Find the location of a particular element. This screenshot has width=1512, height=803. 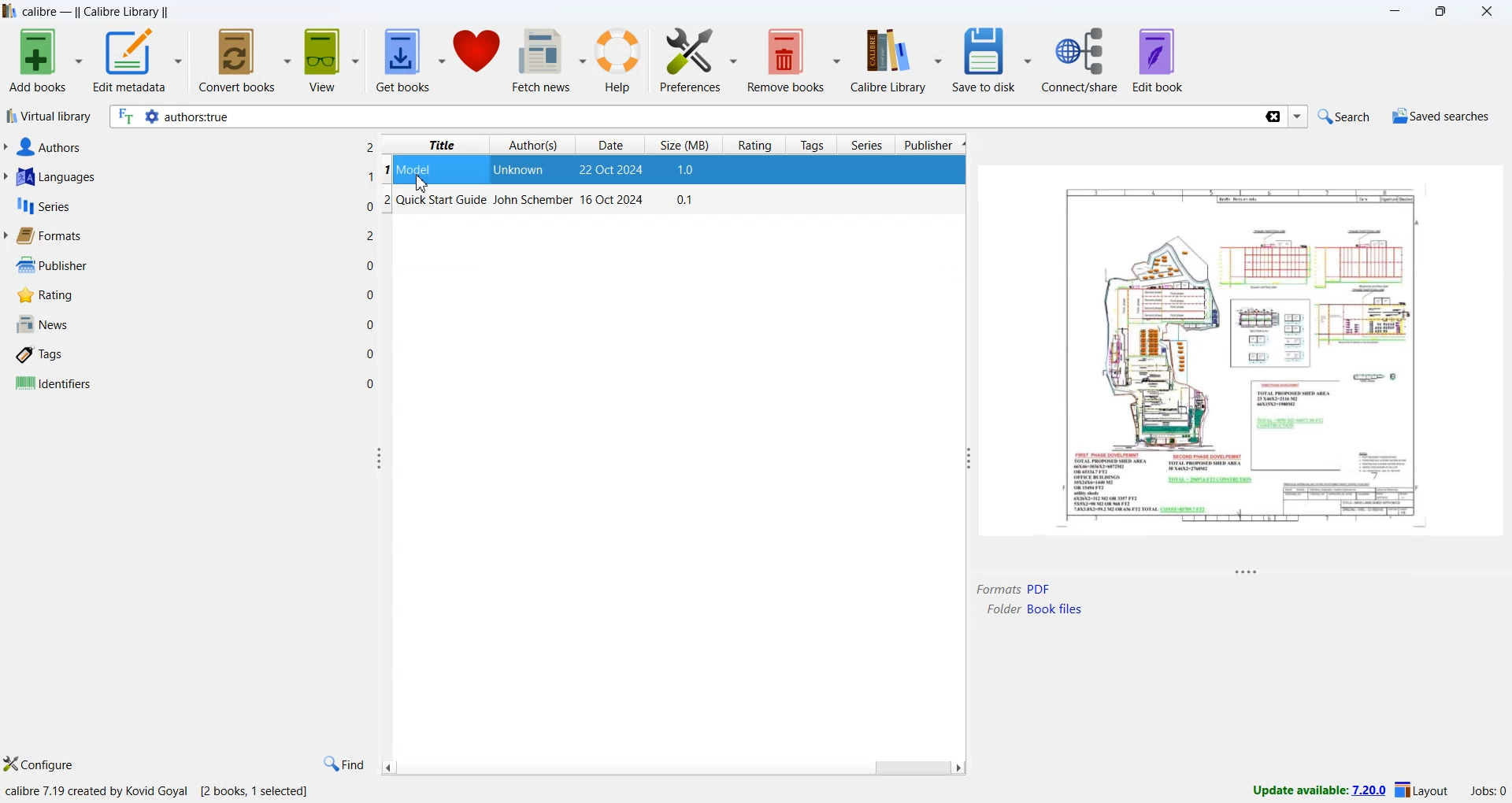

help is located at coordinates (622, 62).